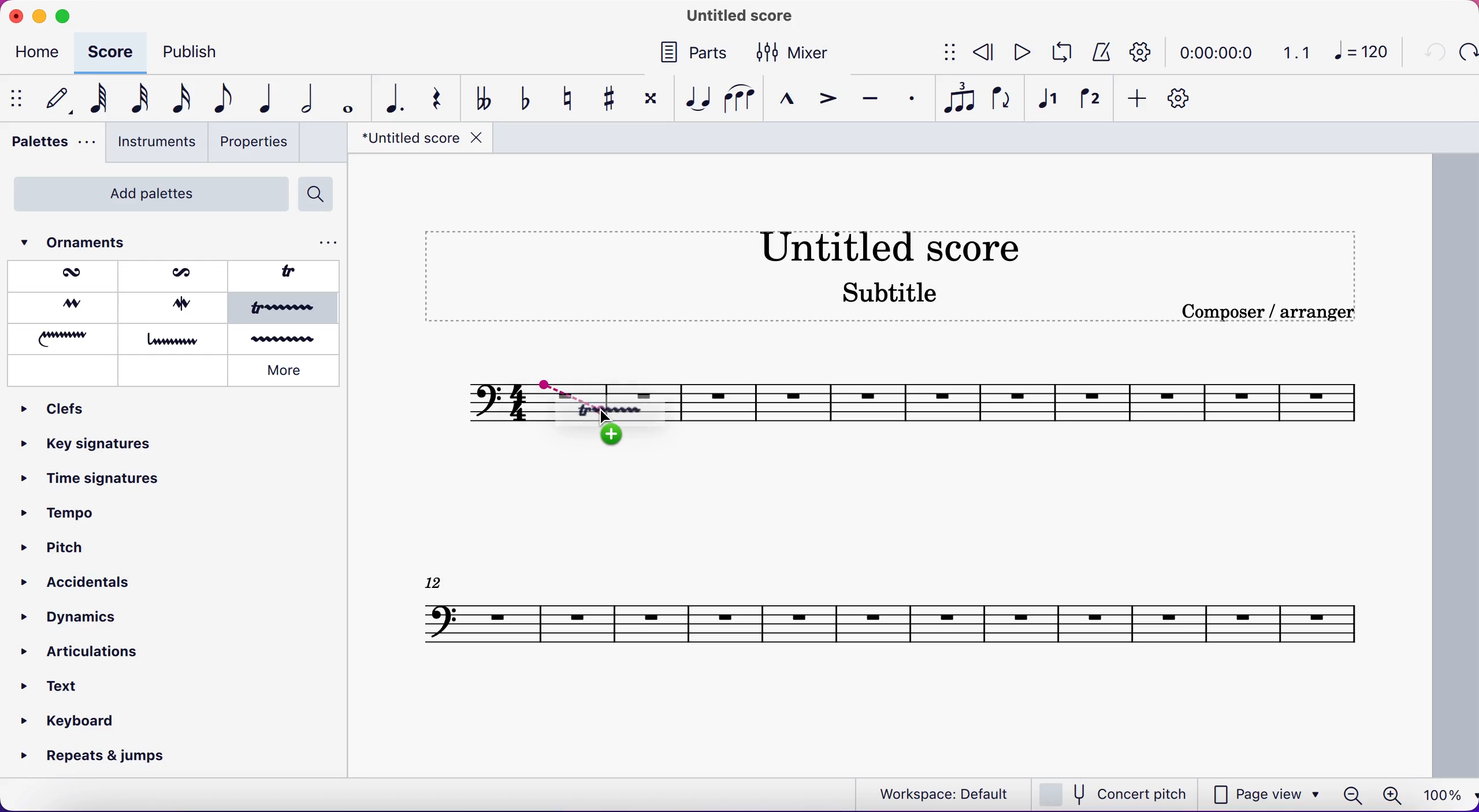 The width and height of the screenshot is (1479, 812). I want to click on ornaments, so click(93, 243).